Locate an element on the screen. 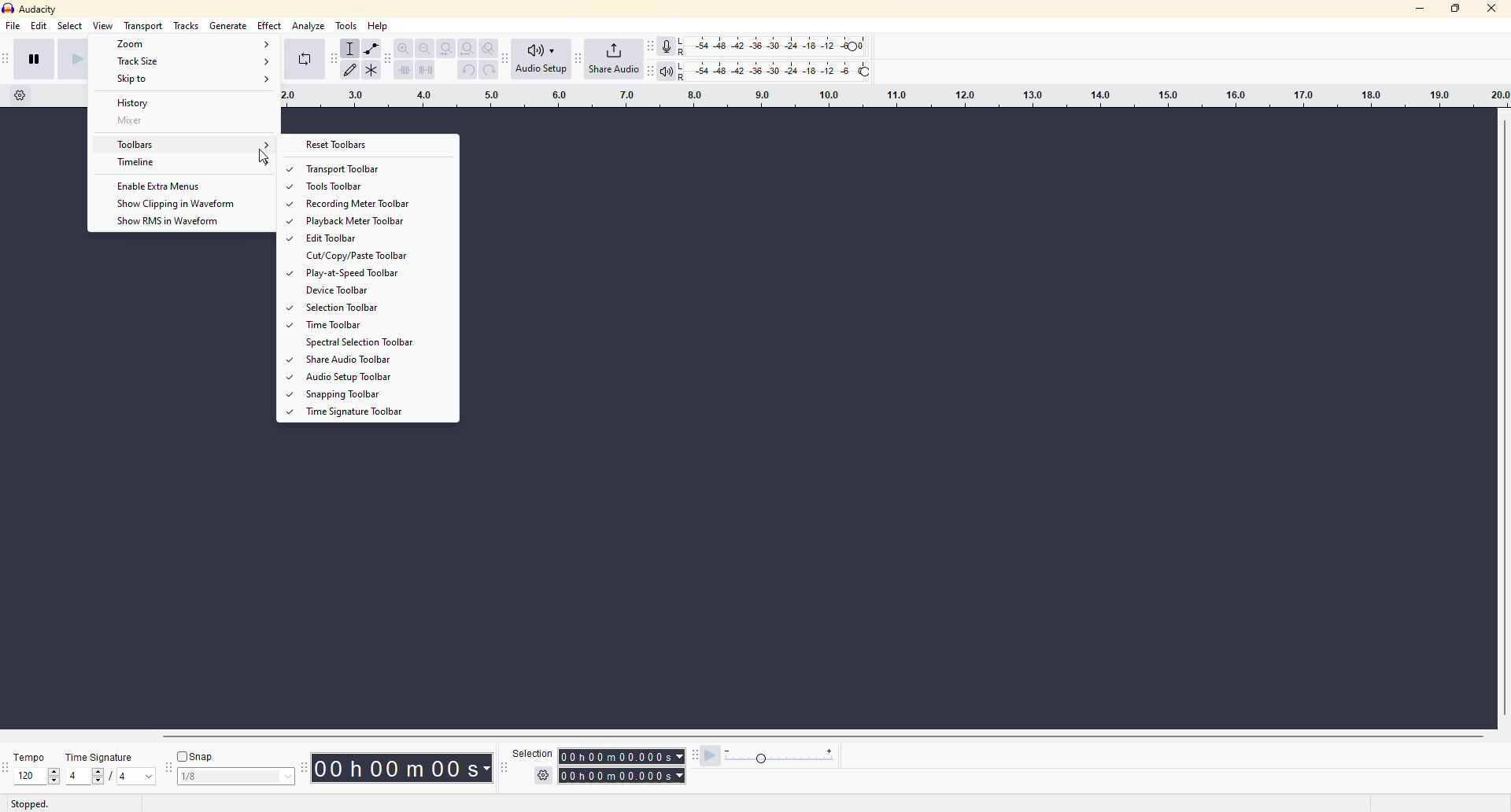 This screenshot has width=1511, height=812. values is located at coordinates (53, 776).